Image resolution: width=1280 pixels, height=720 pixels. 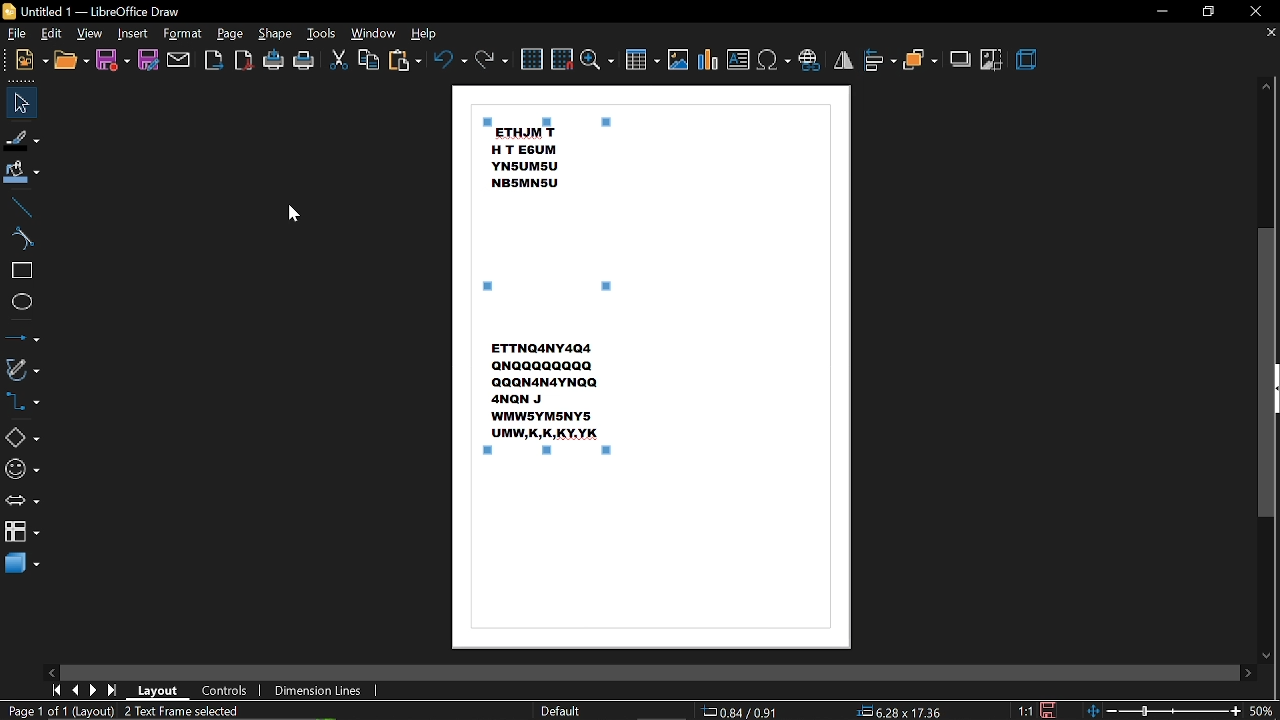 I want to click on dimension lines, so click(x=318, y=690).